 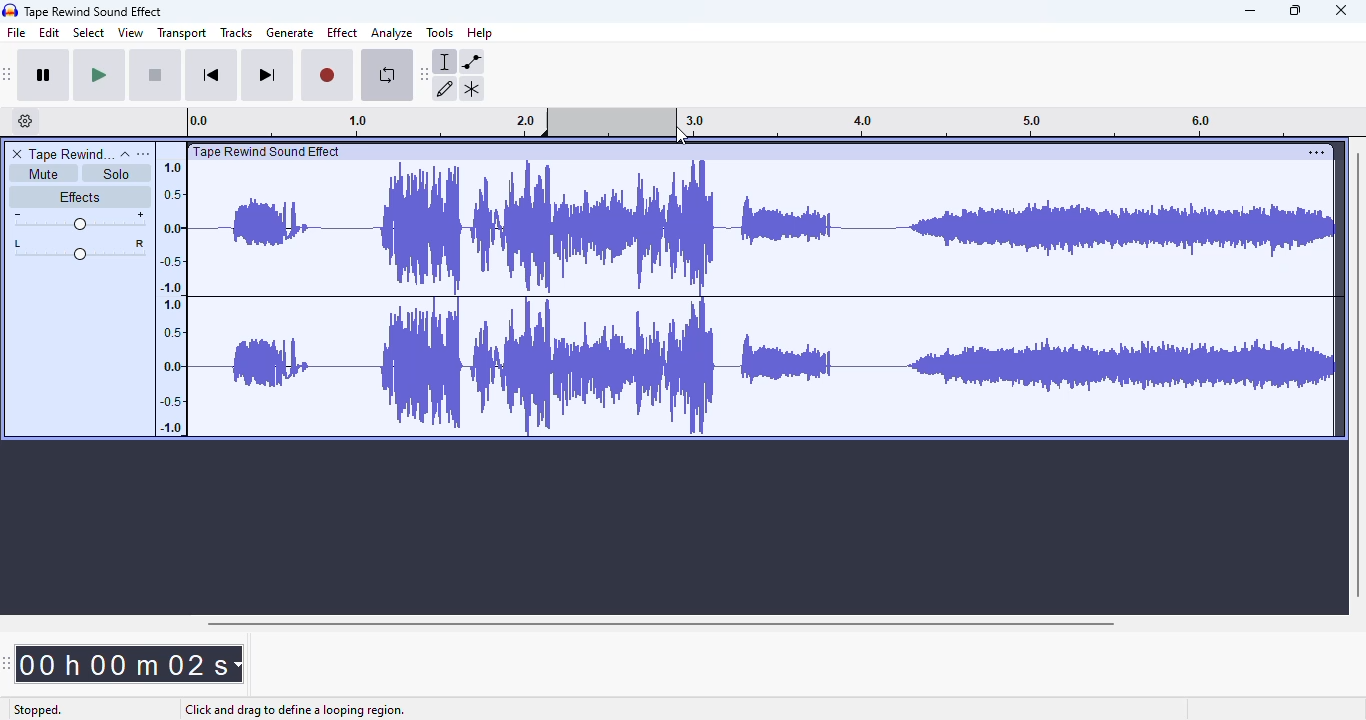 What do you see at coordinates (1341, 10) in the screenshot?
I see `close` at bounding box center [1341, 10].